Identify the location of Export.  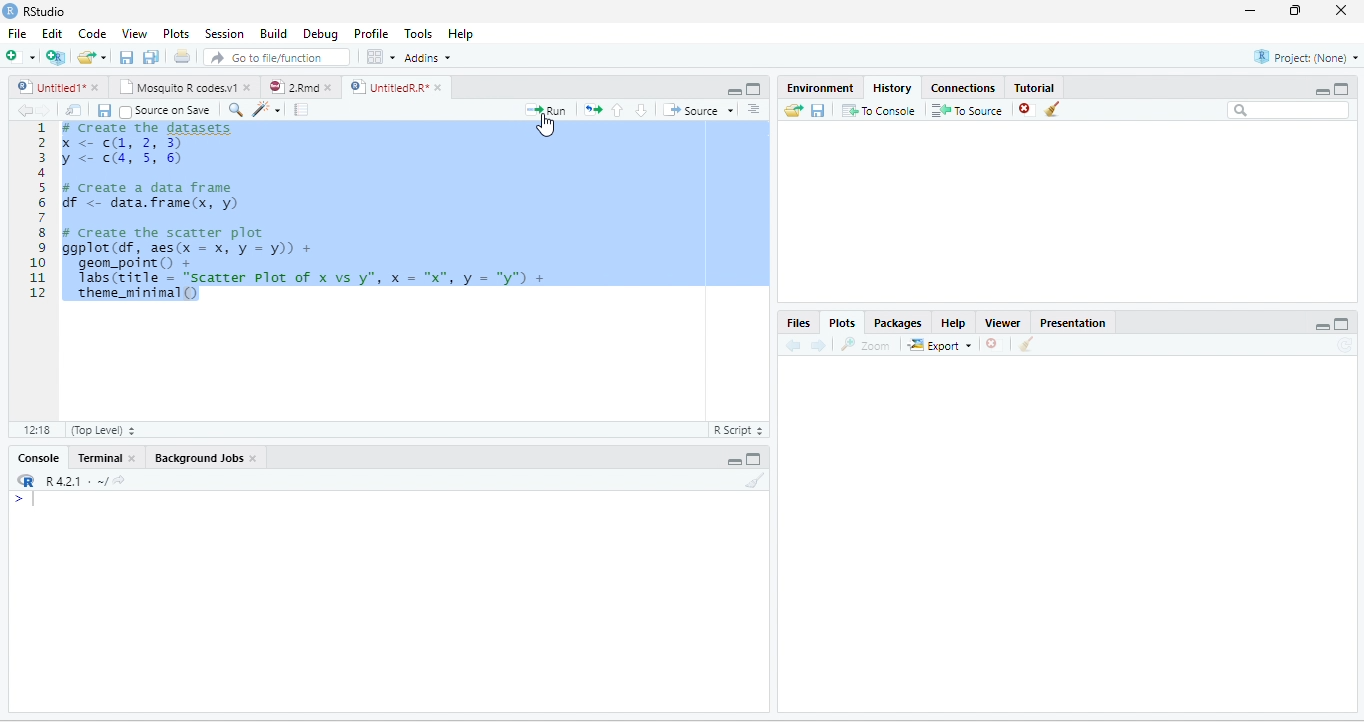
(939, 345).